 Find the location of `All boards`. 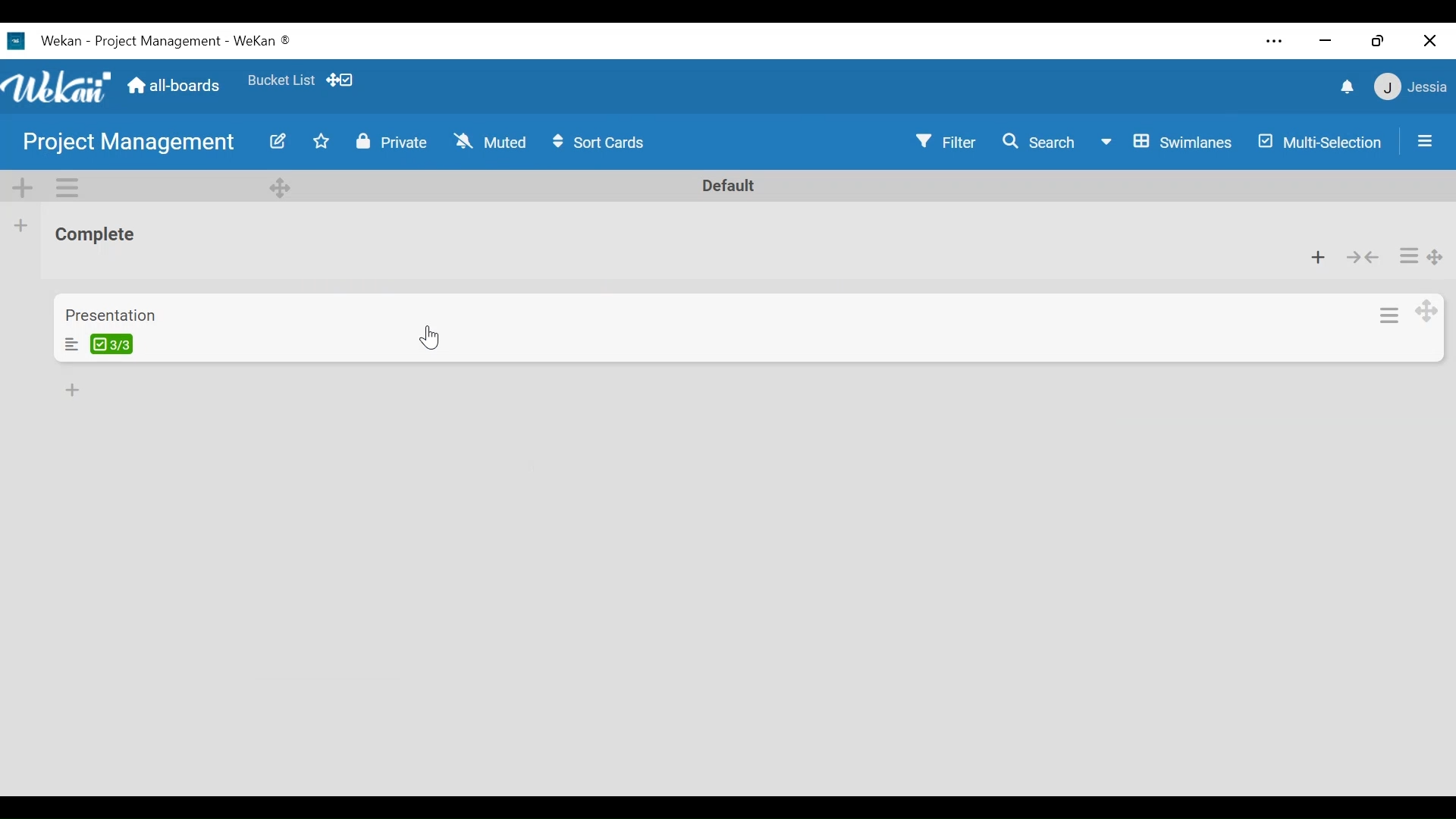

All boards is located at coordinates (177, 87).